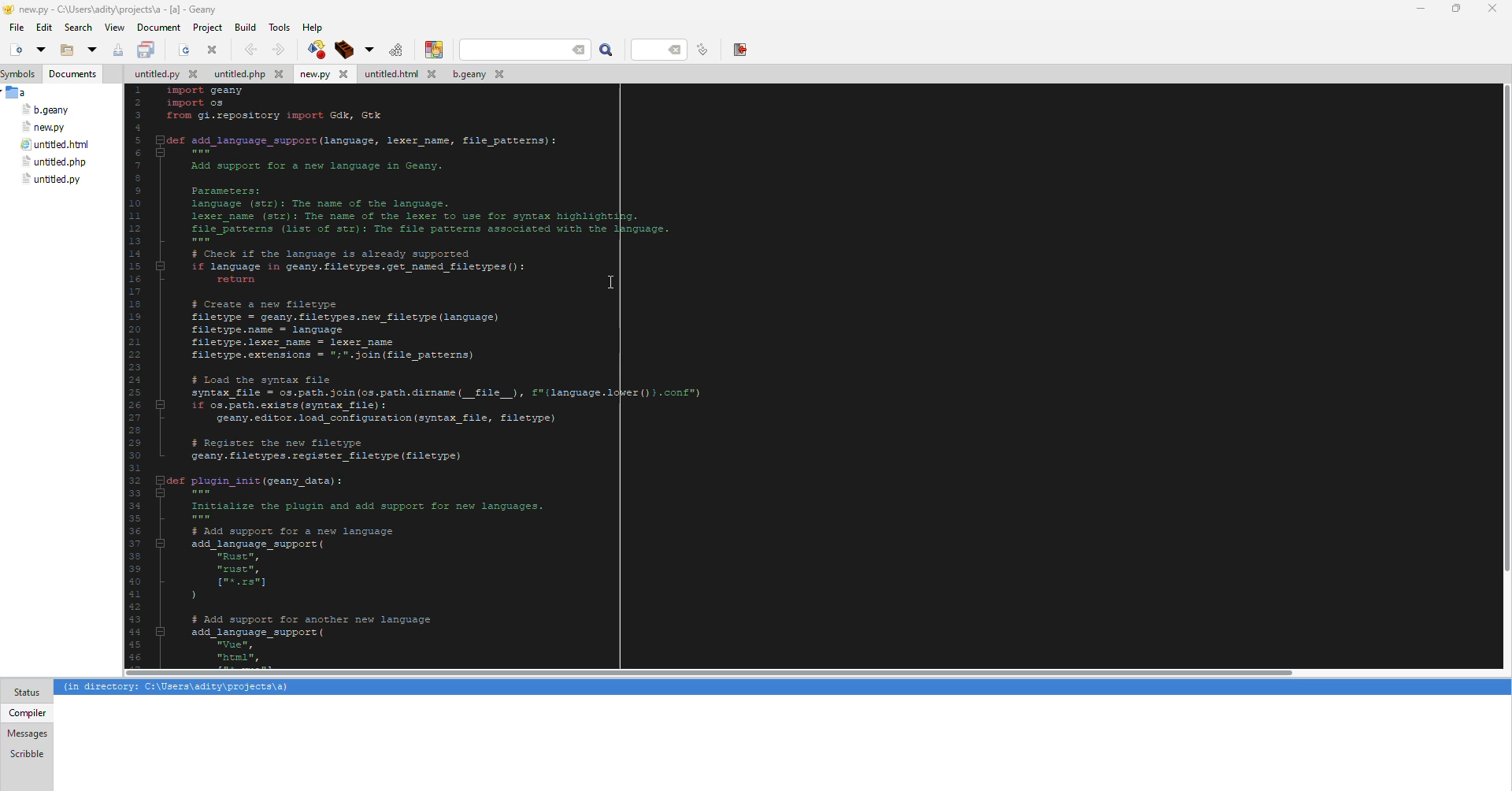  I want to click on exit, so click(737, 49).